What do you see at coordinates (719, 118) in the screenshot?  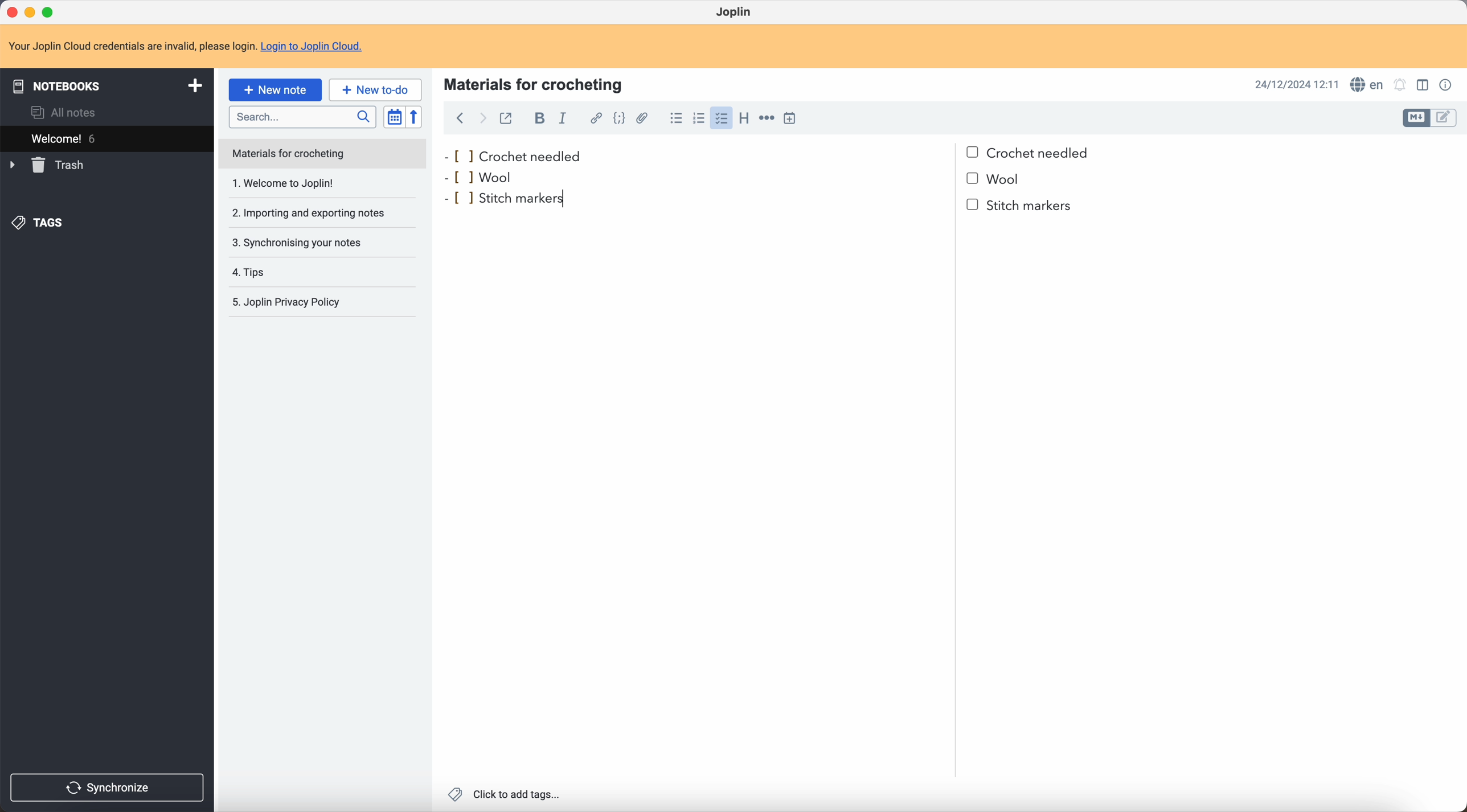 I see `click on checklist` at bounding box center [719, 118].